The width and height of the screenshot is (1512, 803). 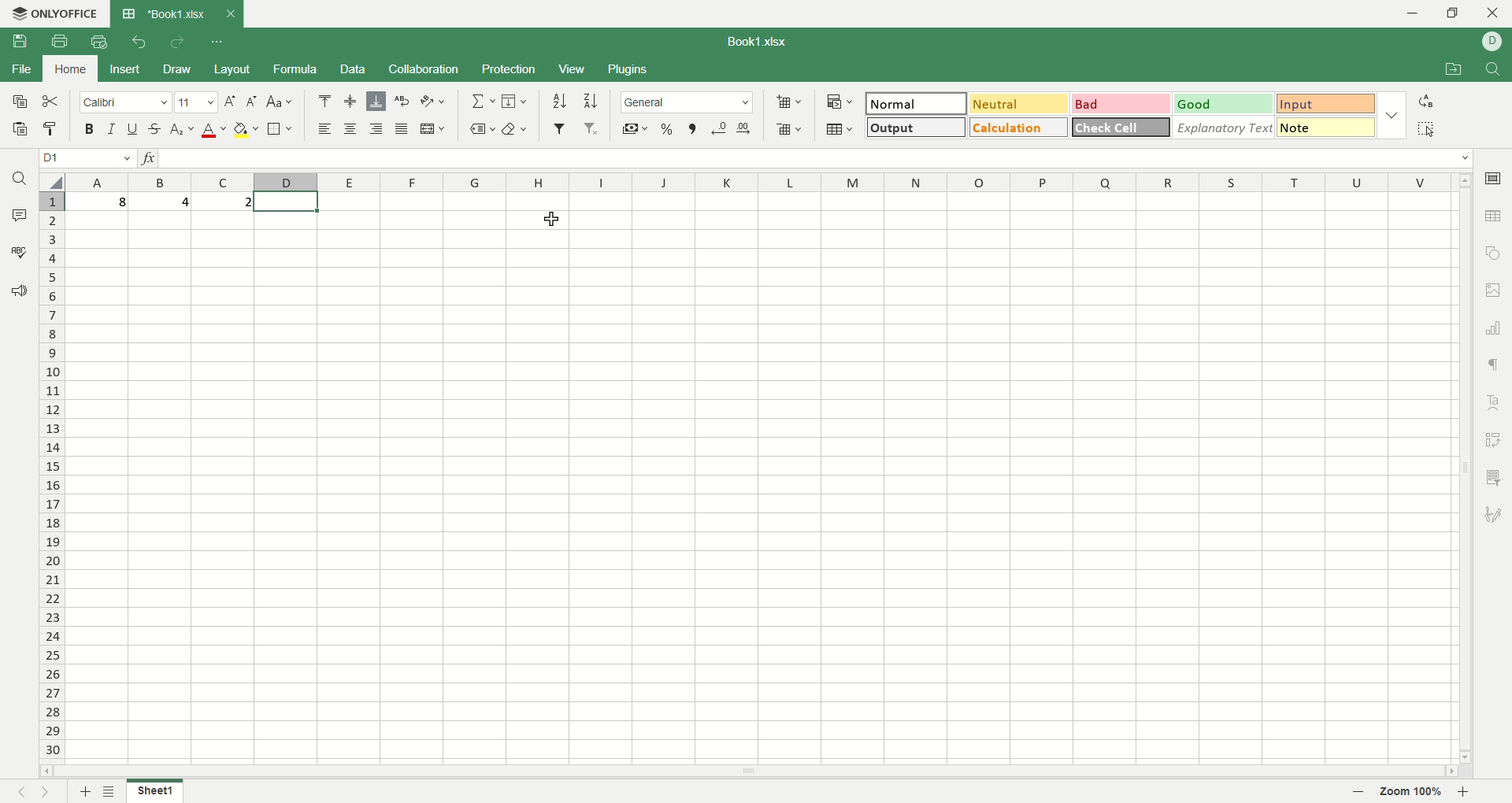 What do you see at coordinates (592, 128) in the screenshot?
I see `remove filter` at bounding box center [592, 128].